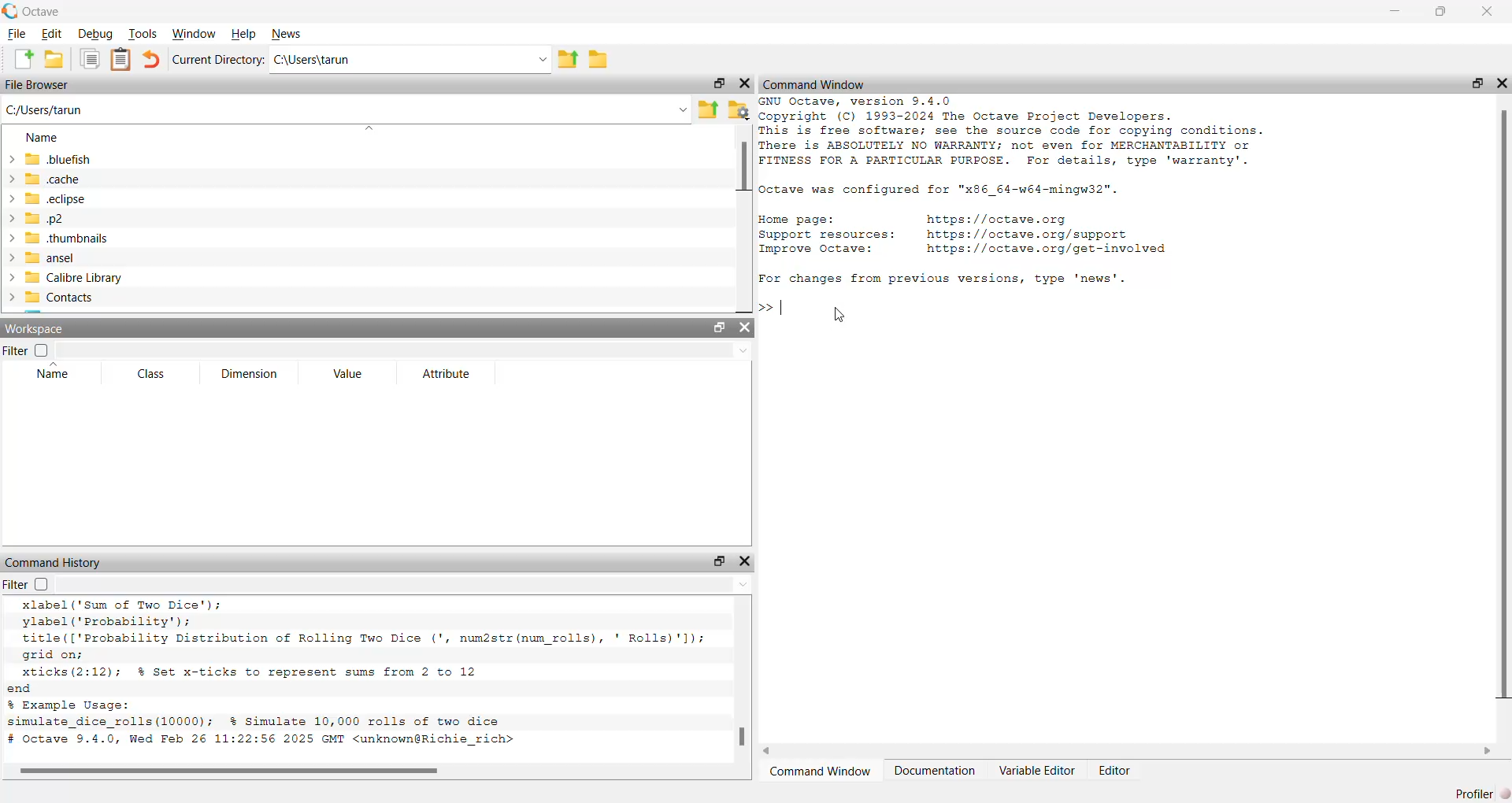 Image resolution: width=1512 pixels, height=803 pixels. I want to click on Scrollbar, so click(3011, 510).